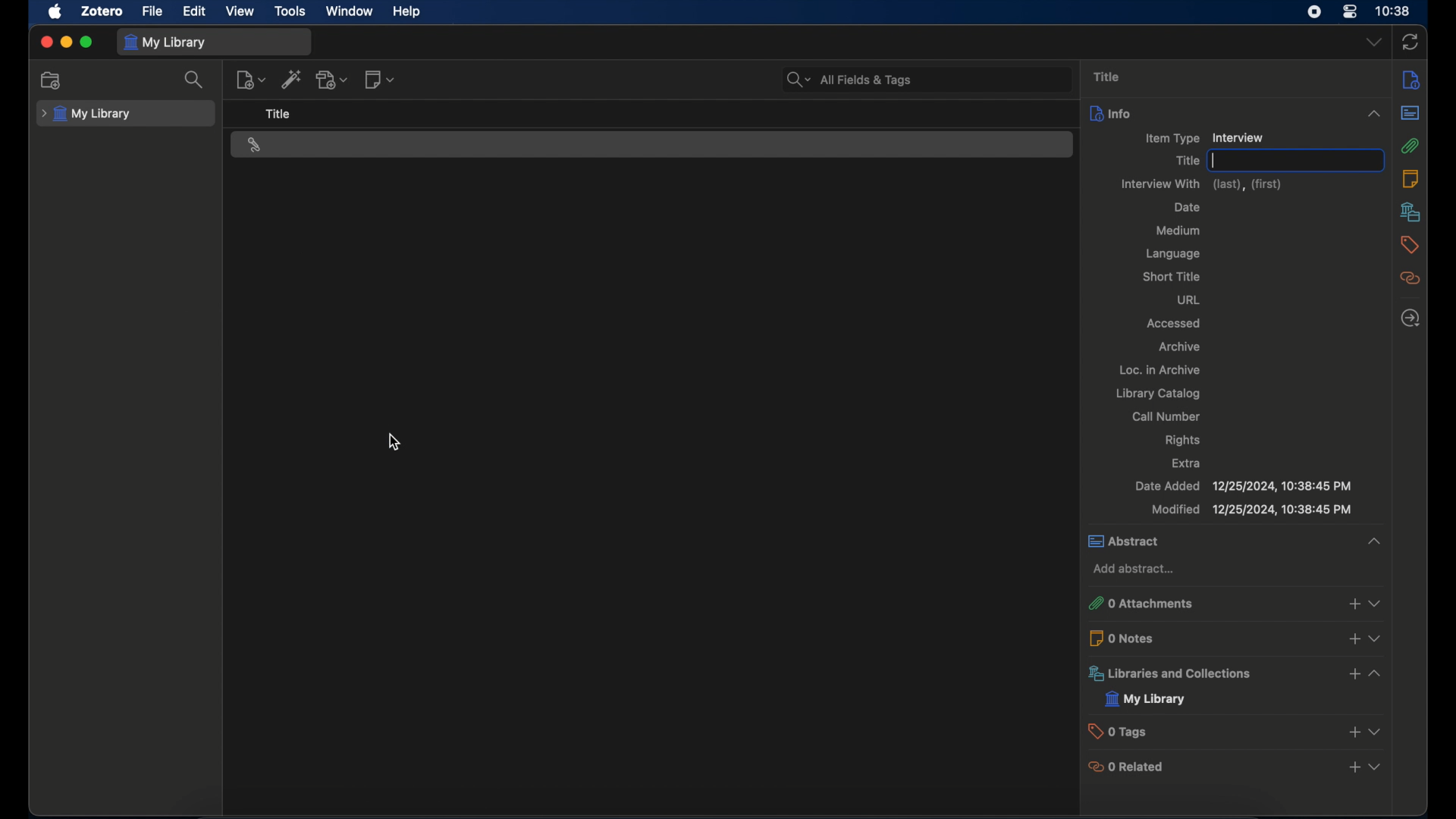 The image size is (1456, 819). Describe the element at coordinates (86, 42) in the screenshot. I see `maximize` at that location.